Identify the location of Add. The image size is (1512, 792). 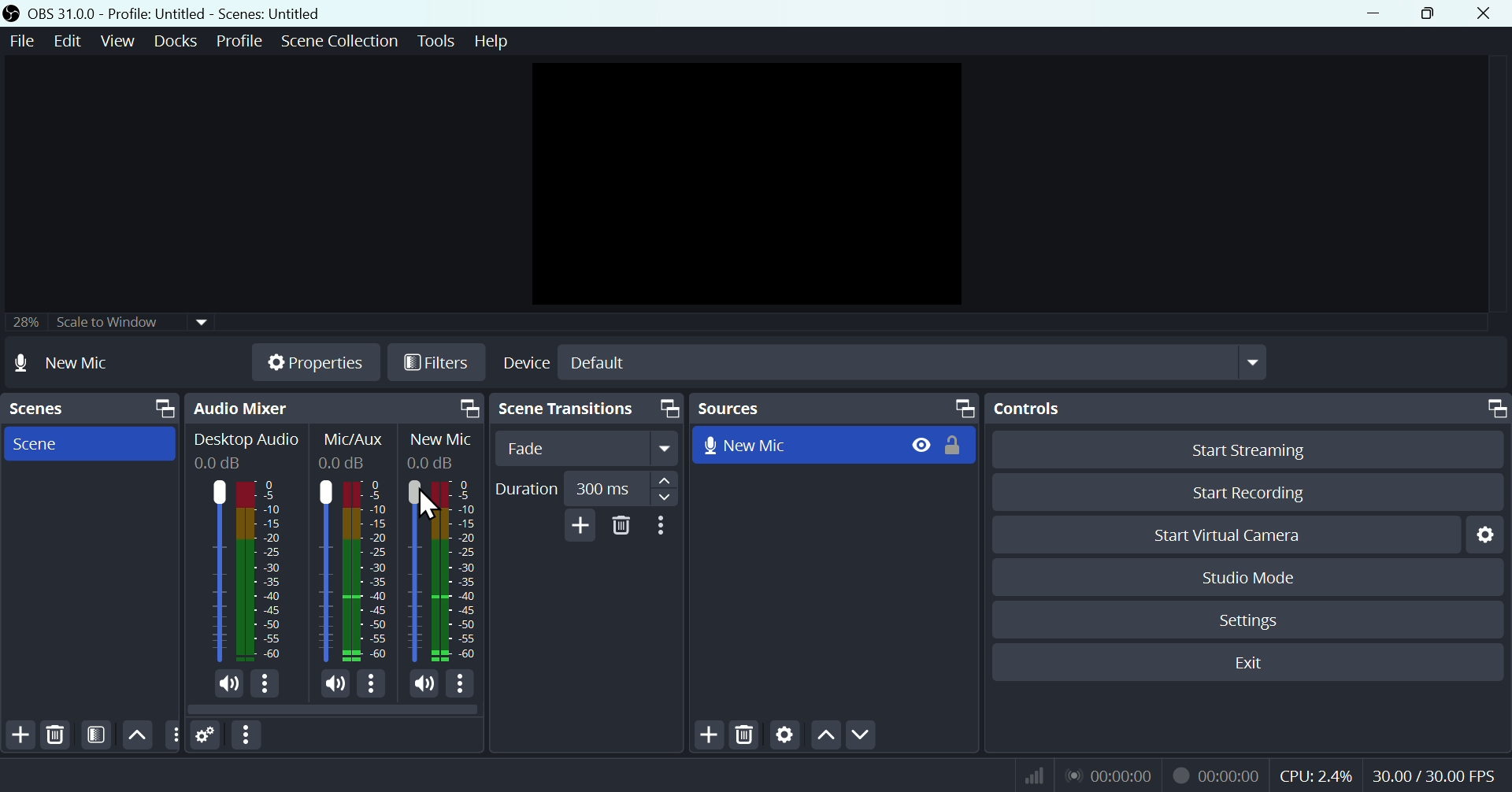
(711, 736).